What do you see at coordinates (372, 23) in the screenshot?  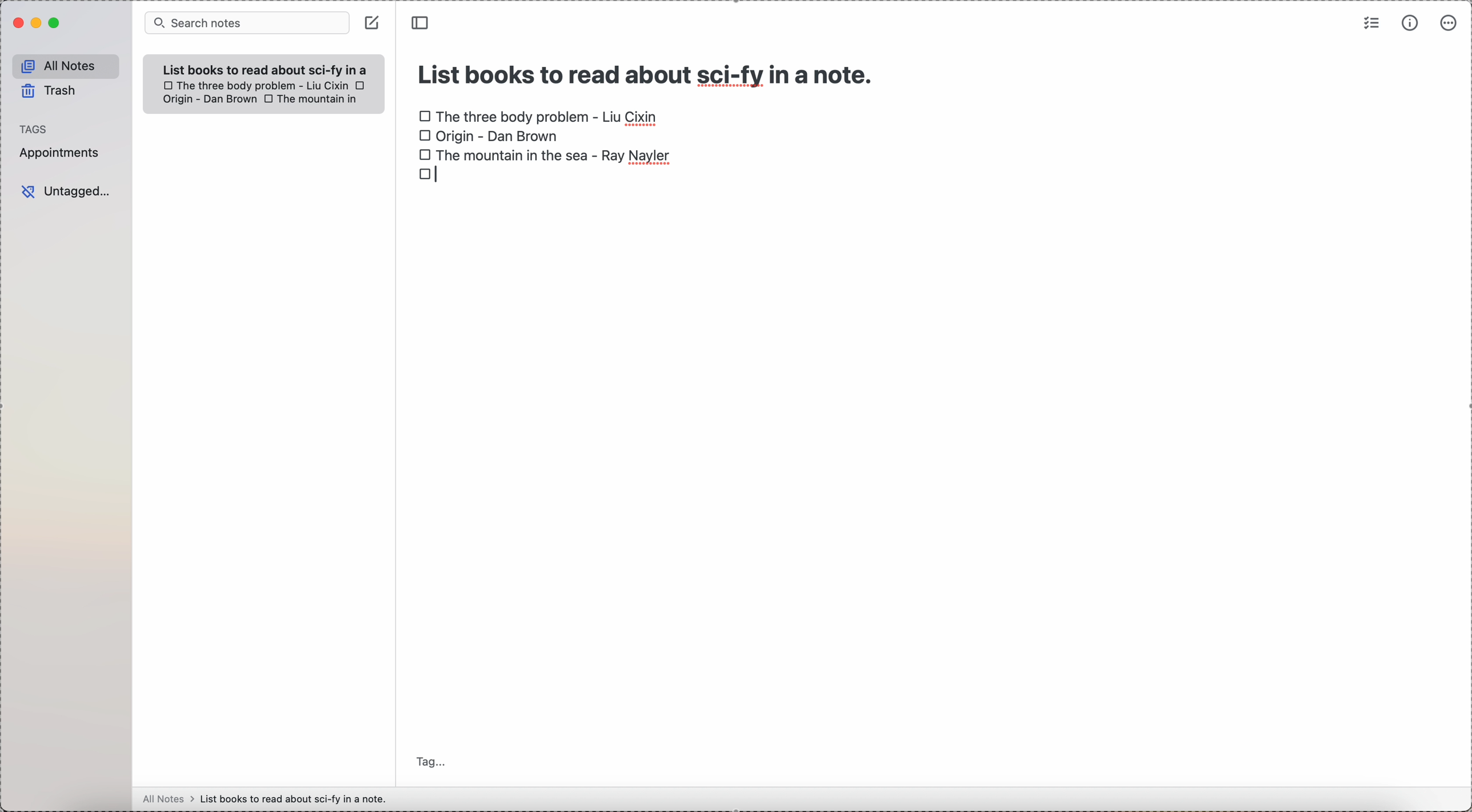 I see `create note` at bounding box center [372, 23].